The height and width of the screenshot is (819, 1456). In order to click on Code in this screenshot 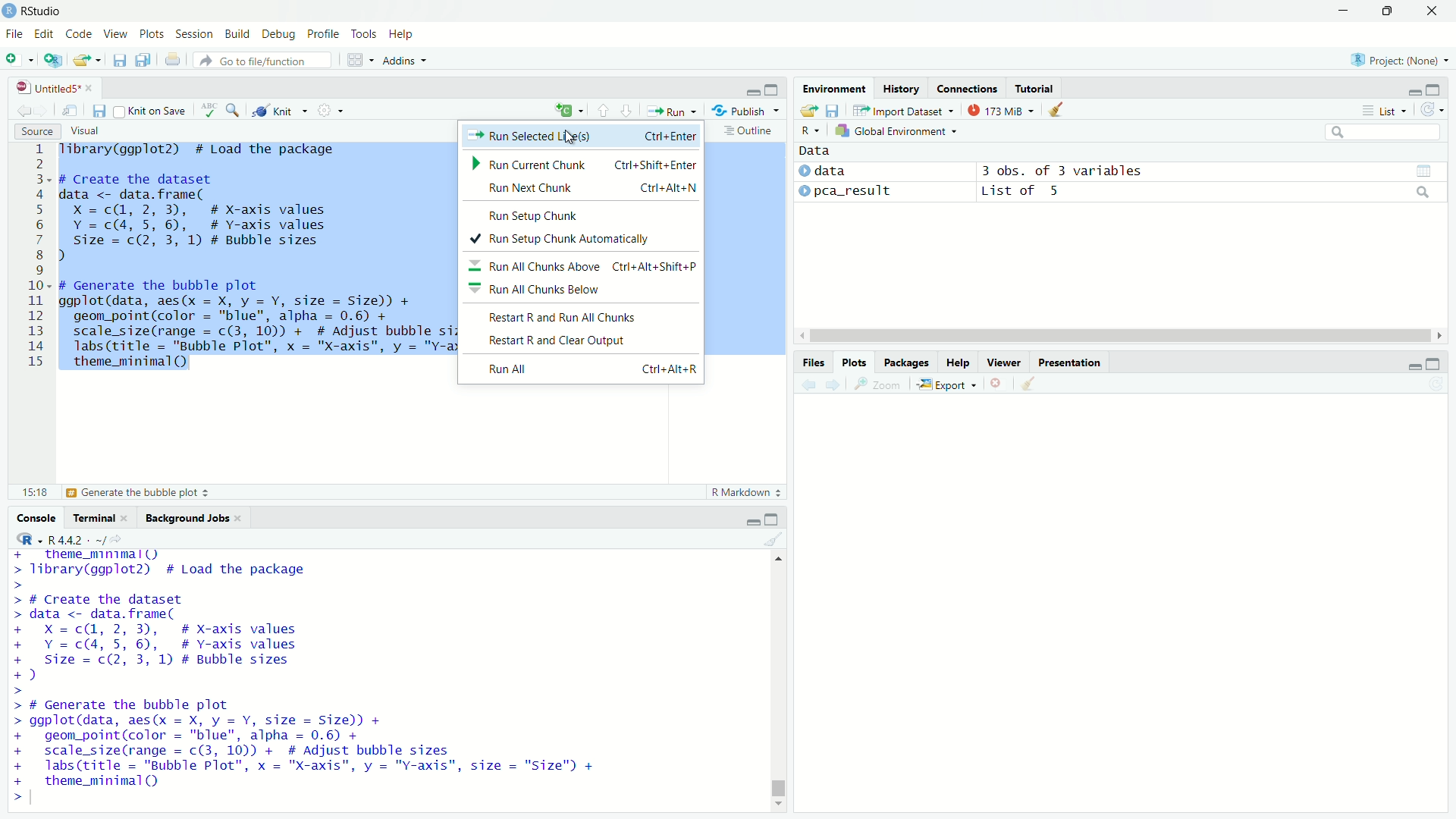, I will do `click(82, 35)`.